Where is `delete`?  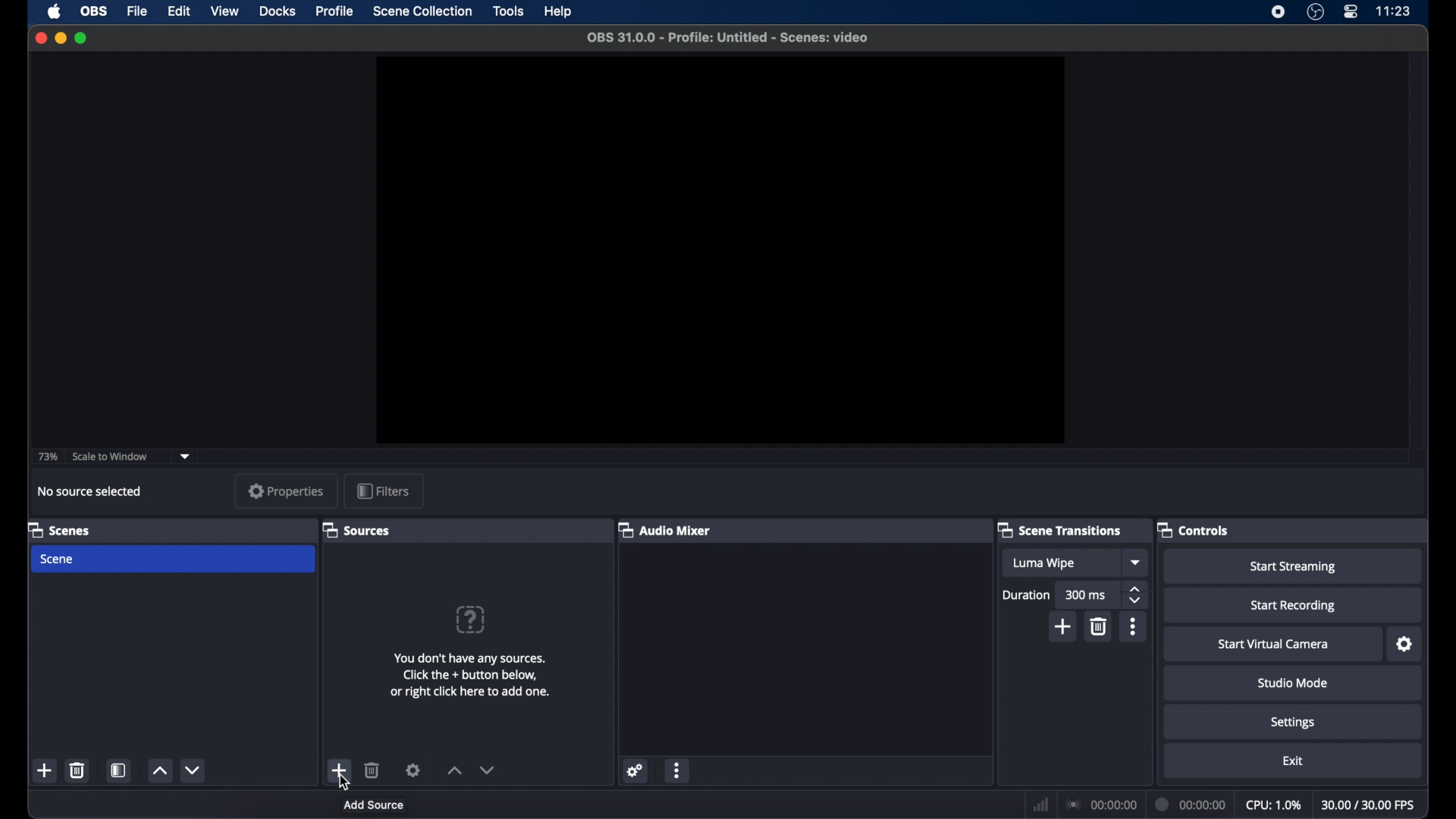 delete is located at coordinates (1098, 626).